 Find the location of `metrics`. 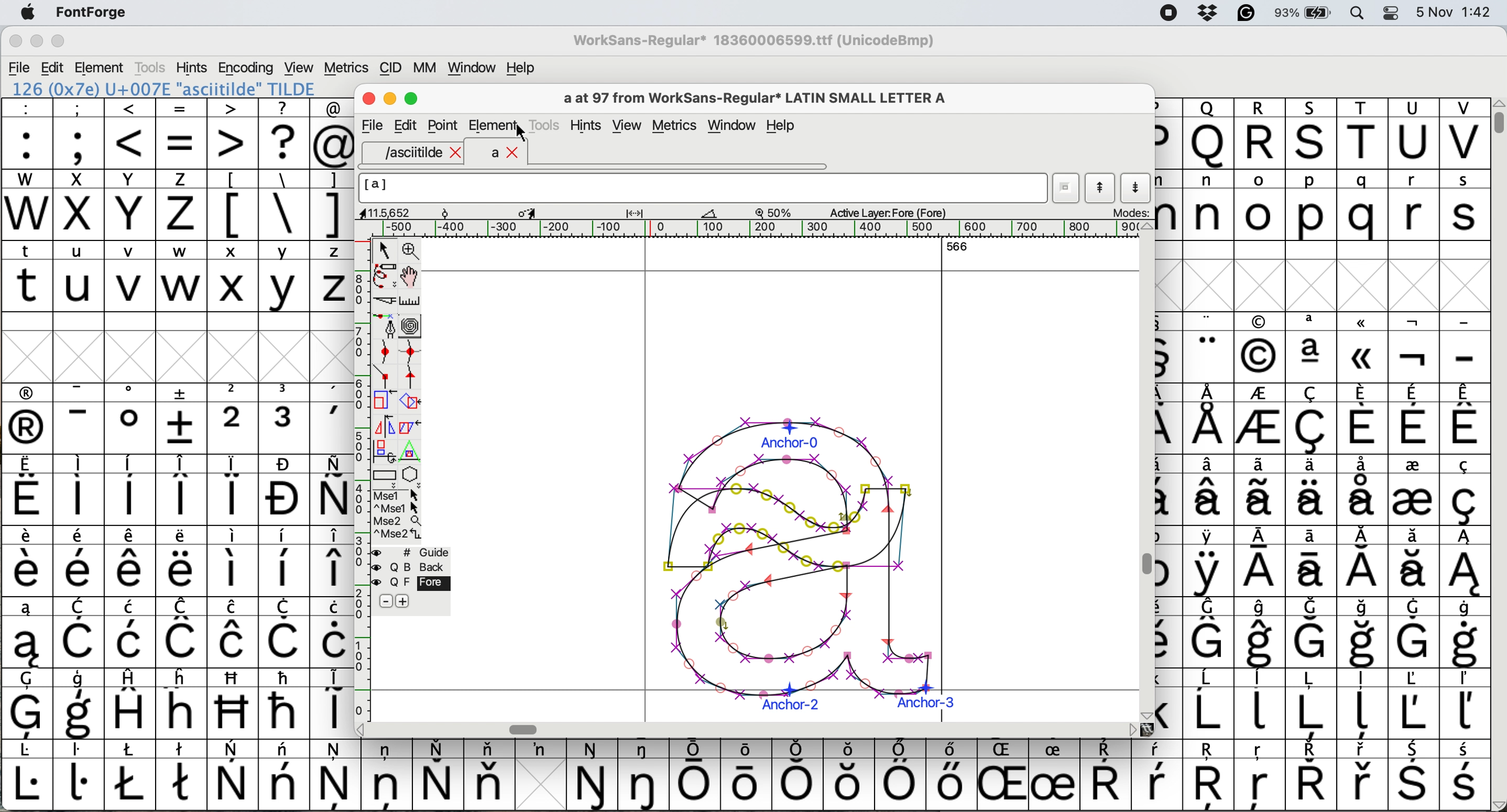

metrics is located at coordinates (346, 68).